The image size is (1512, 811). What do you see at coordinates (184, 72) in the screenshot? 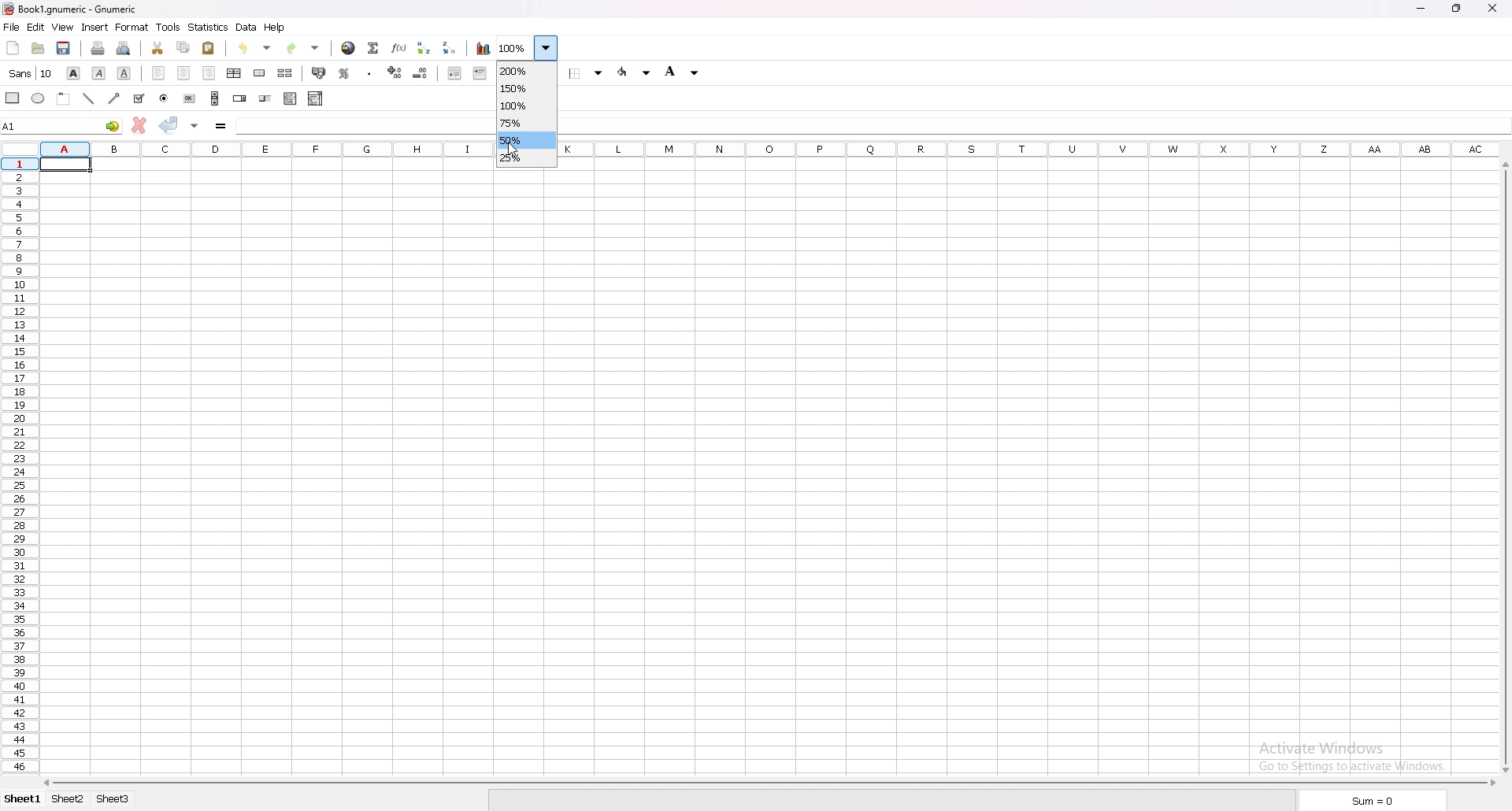
I see `center` at bounding box center [184, 72].